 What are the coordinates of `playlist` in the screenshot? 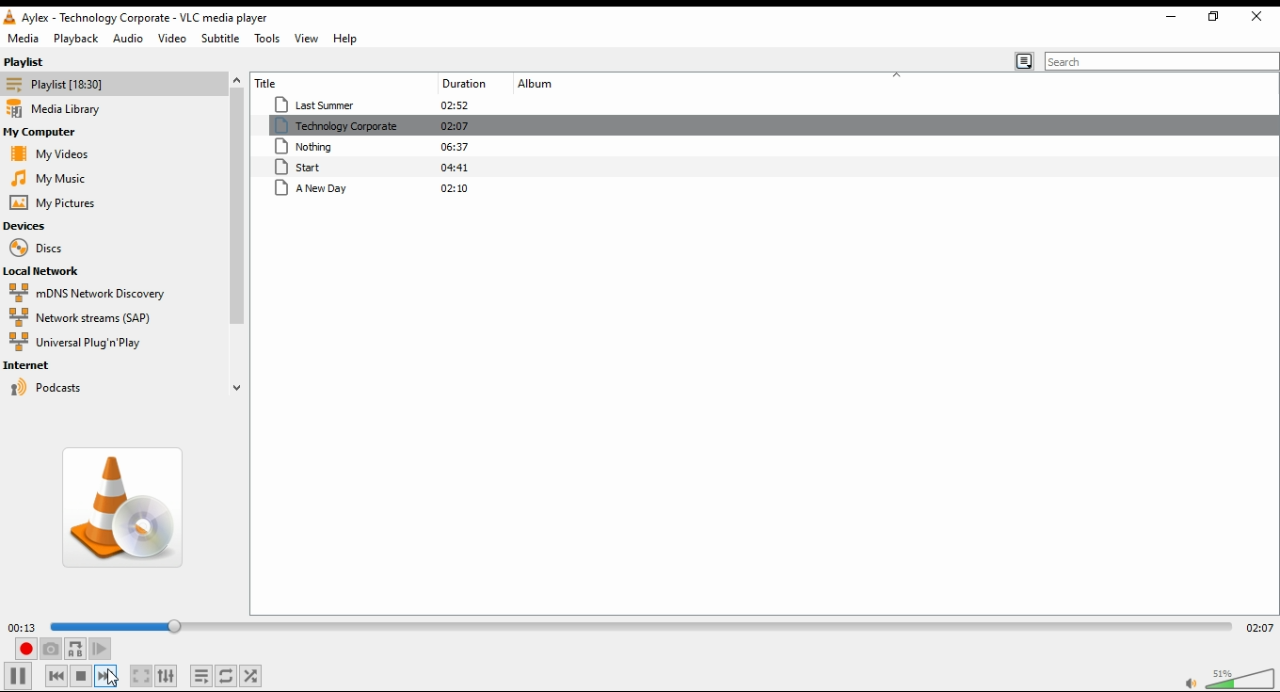 It's located at (54, 86).